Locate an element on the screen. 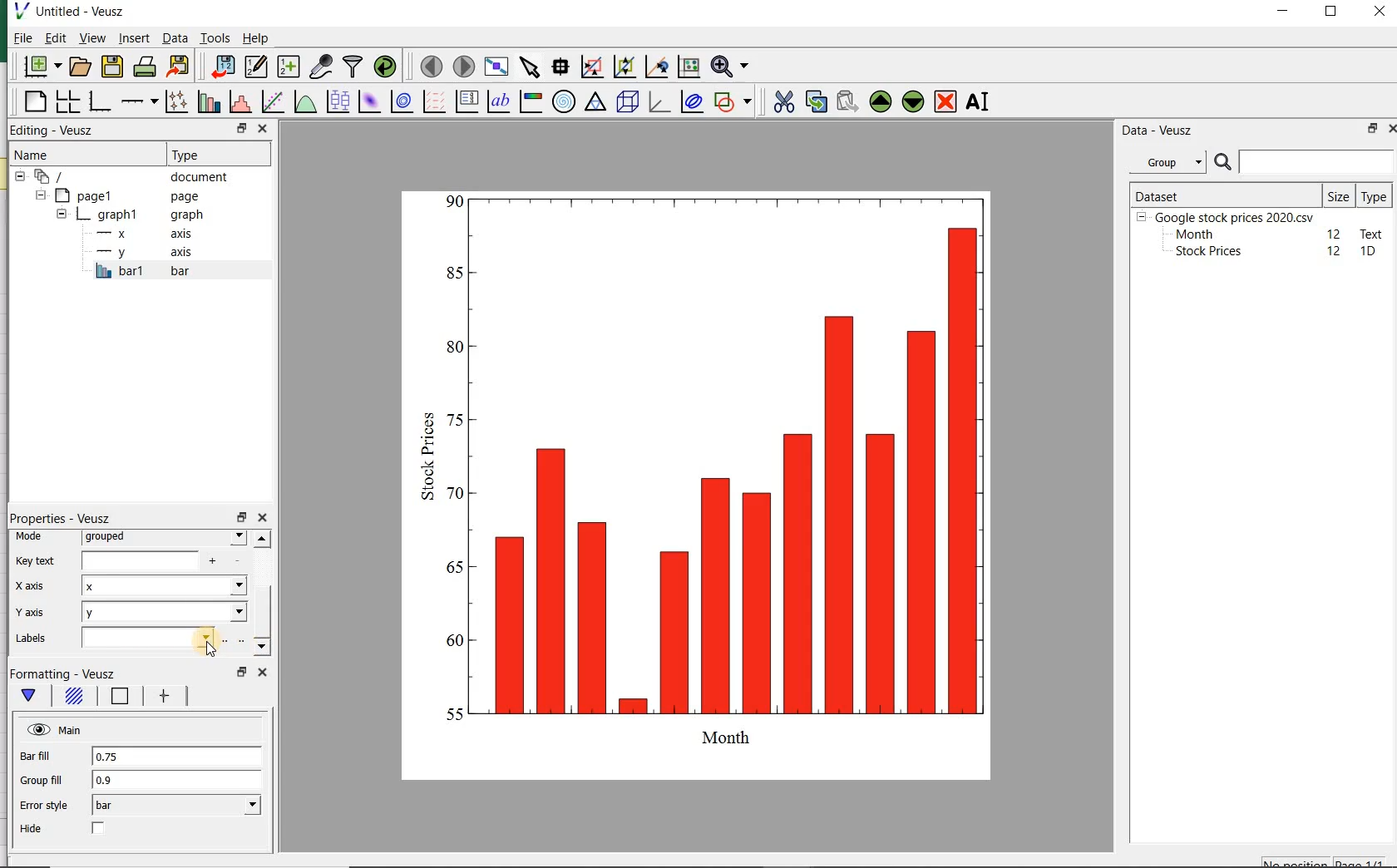  12 is located at coordinates (1335, 251).